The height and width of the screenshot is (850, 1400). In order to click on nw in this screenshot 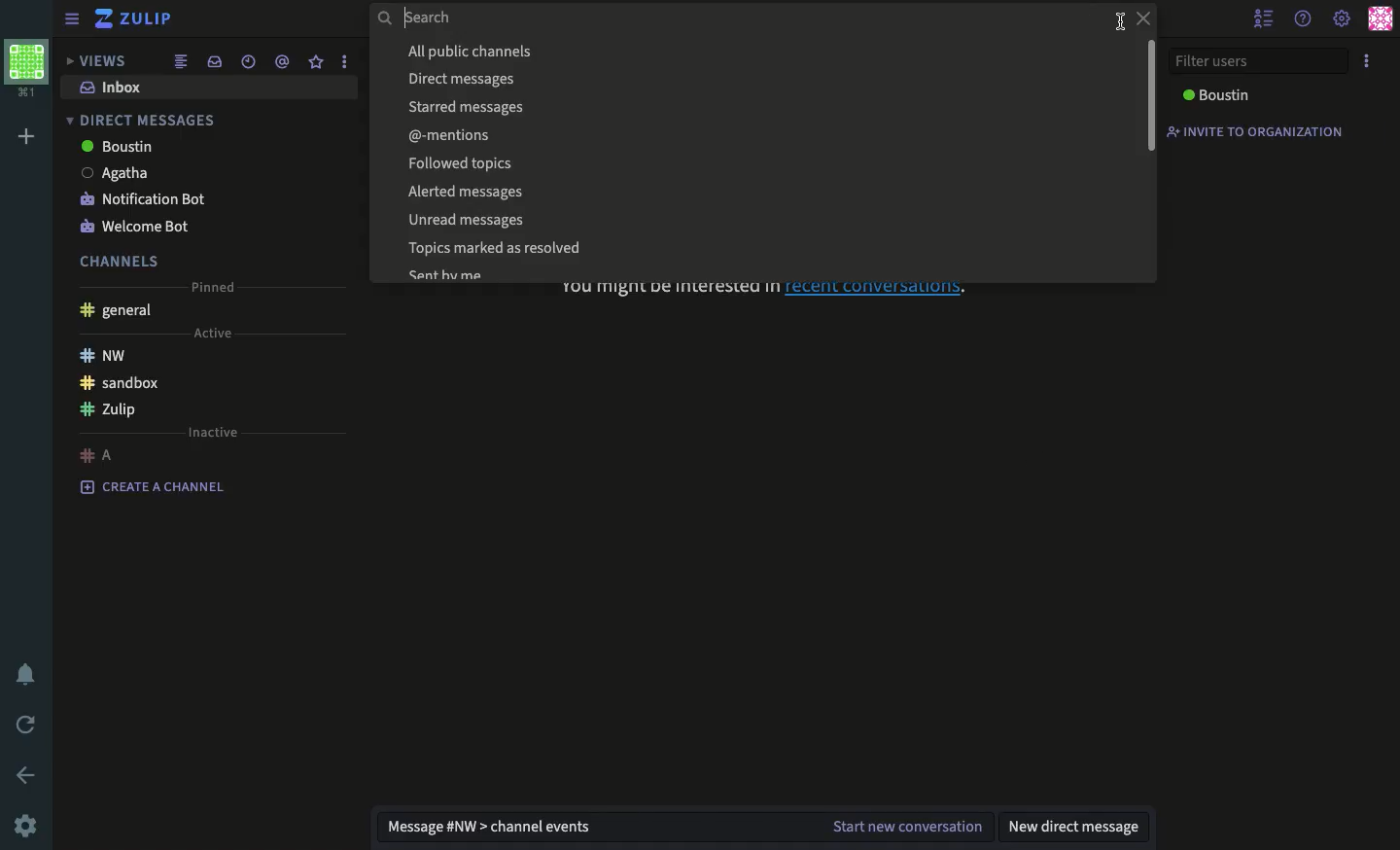, I will do `click(105, 358)`.